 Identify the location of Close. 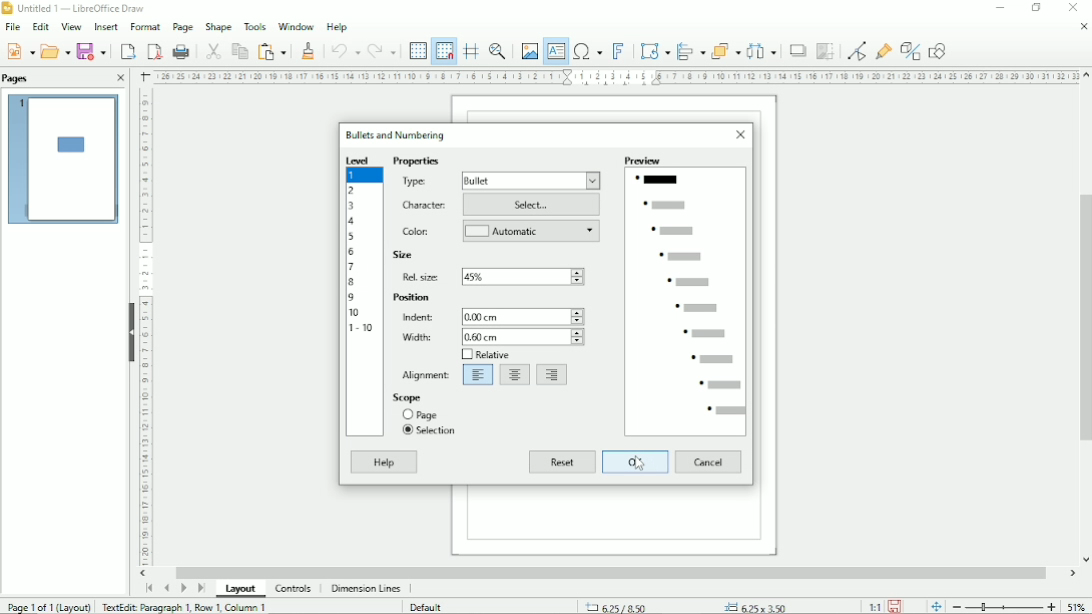
(1083, 27).